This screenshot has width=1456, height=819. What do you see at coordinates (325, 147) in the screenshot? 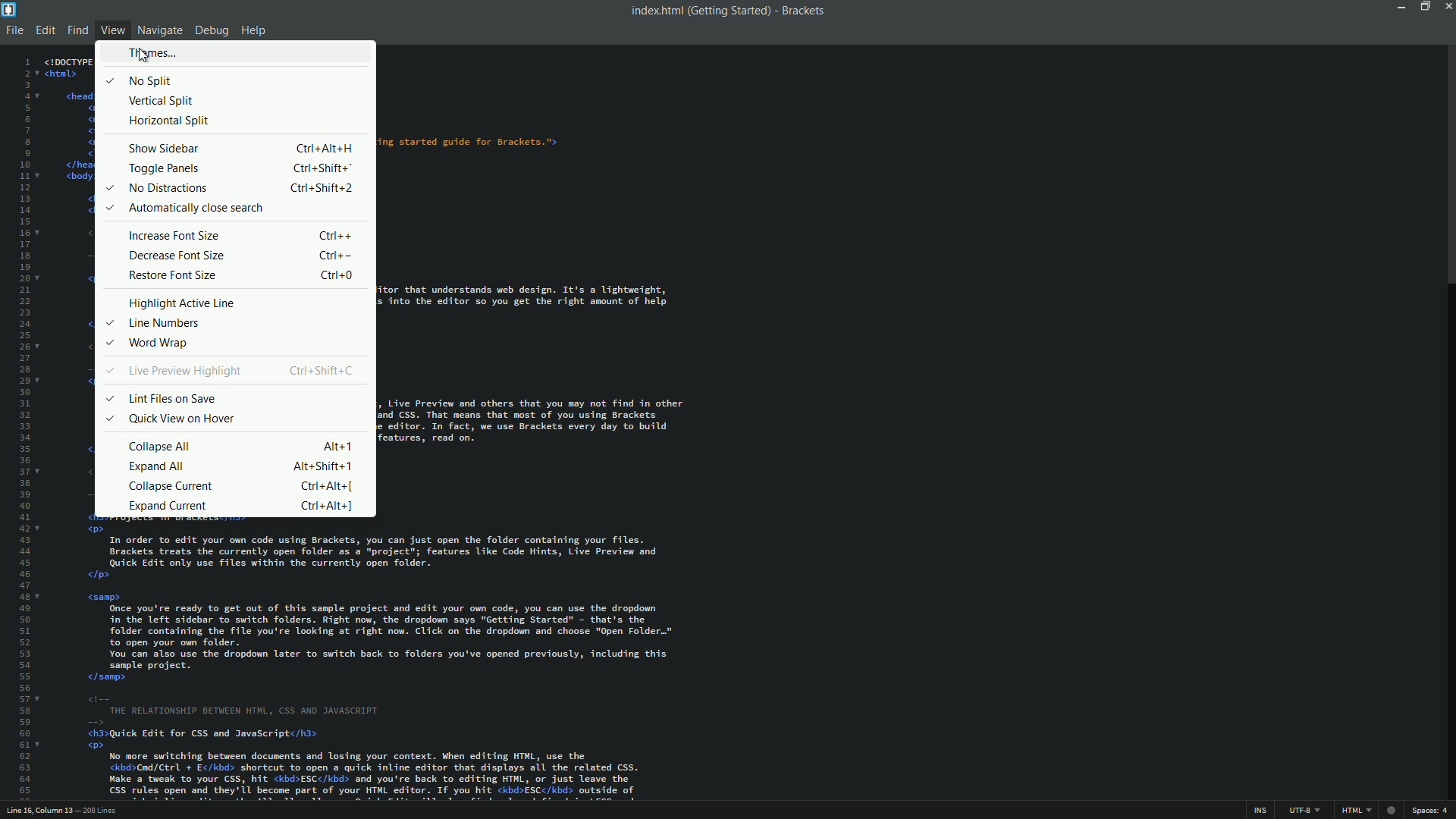
I see `keyboard shortcut` at bounding box center [325, 147].